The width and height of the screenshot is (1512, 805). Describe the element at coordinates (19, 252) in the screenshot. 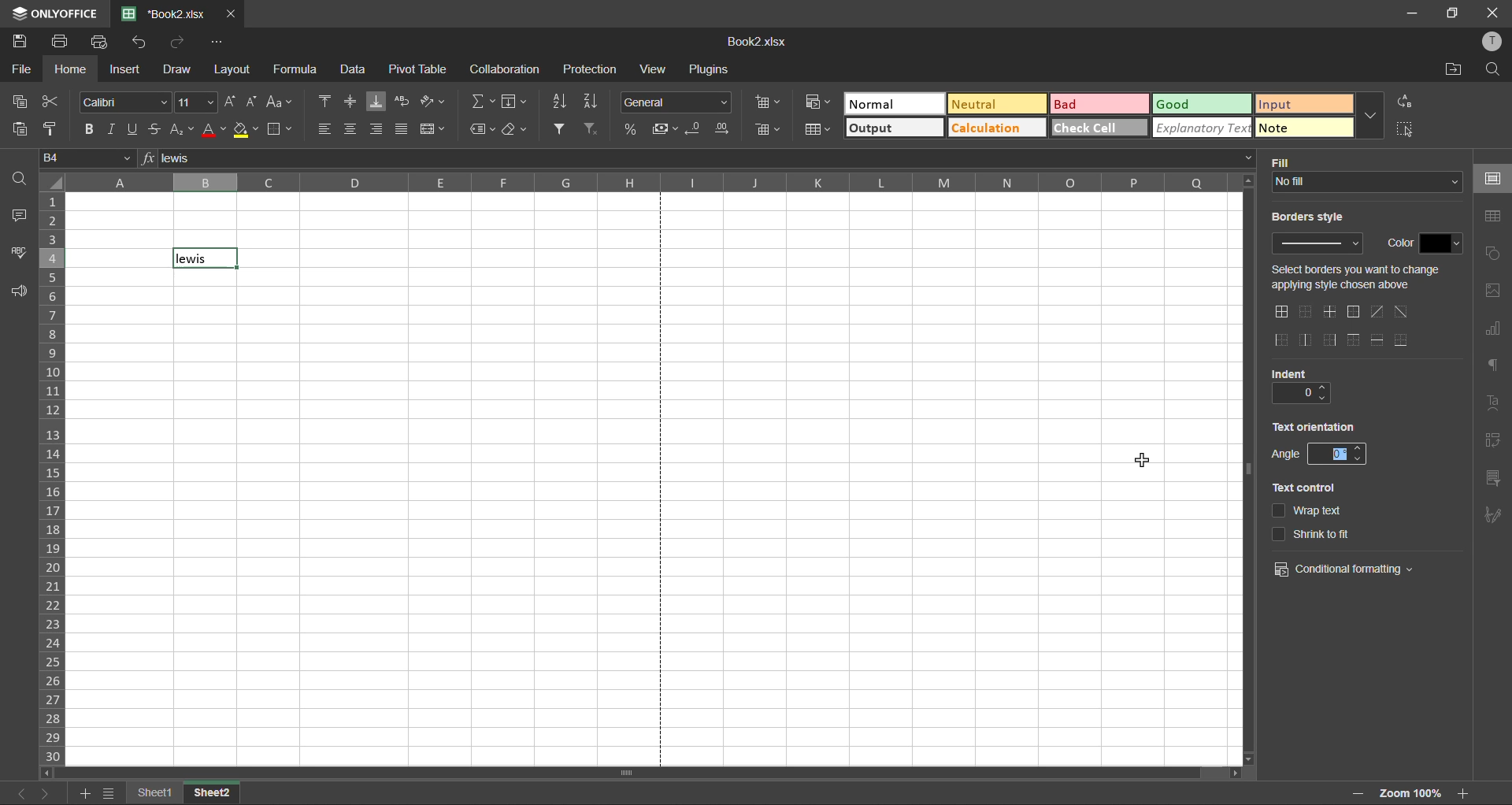

I see `spellcheck` at that location.